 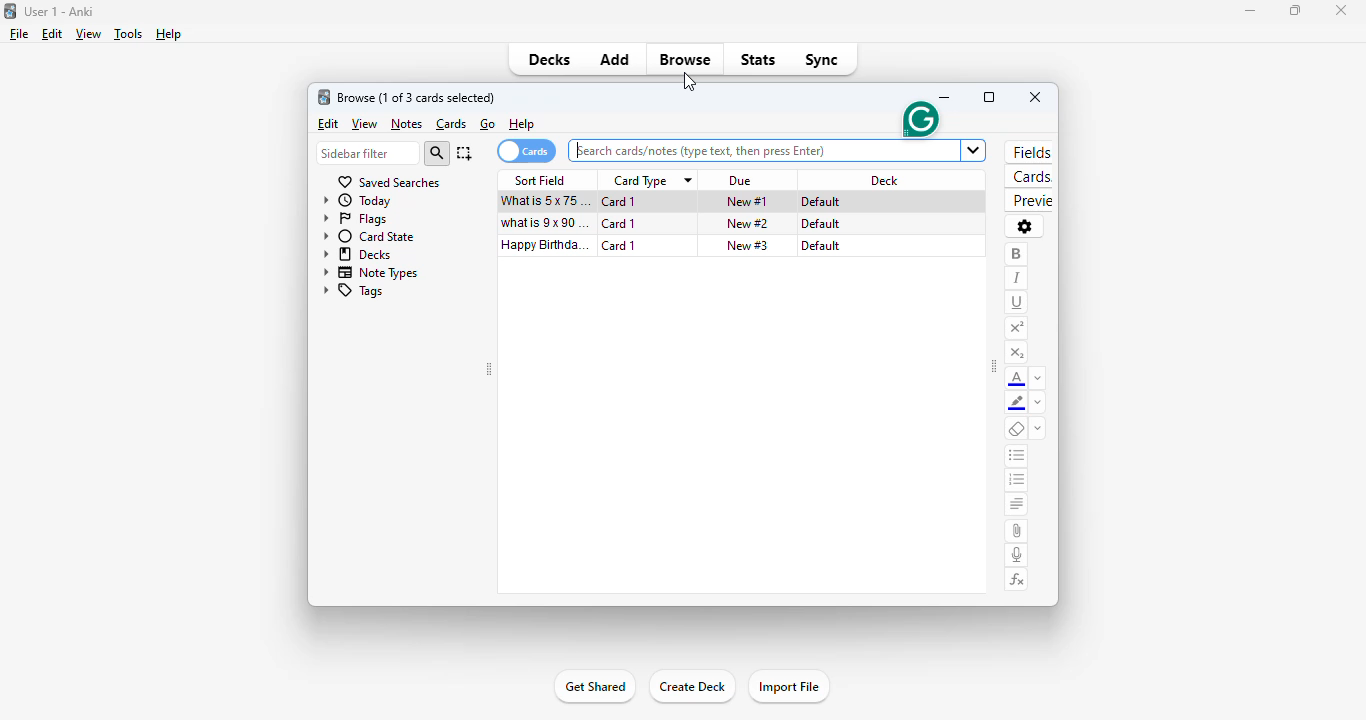 I want to click on options, so click(x=1025, y=228).